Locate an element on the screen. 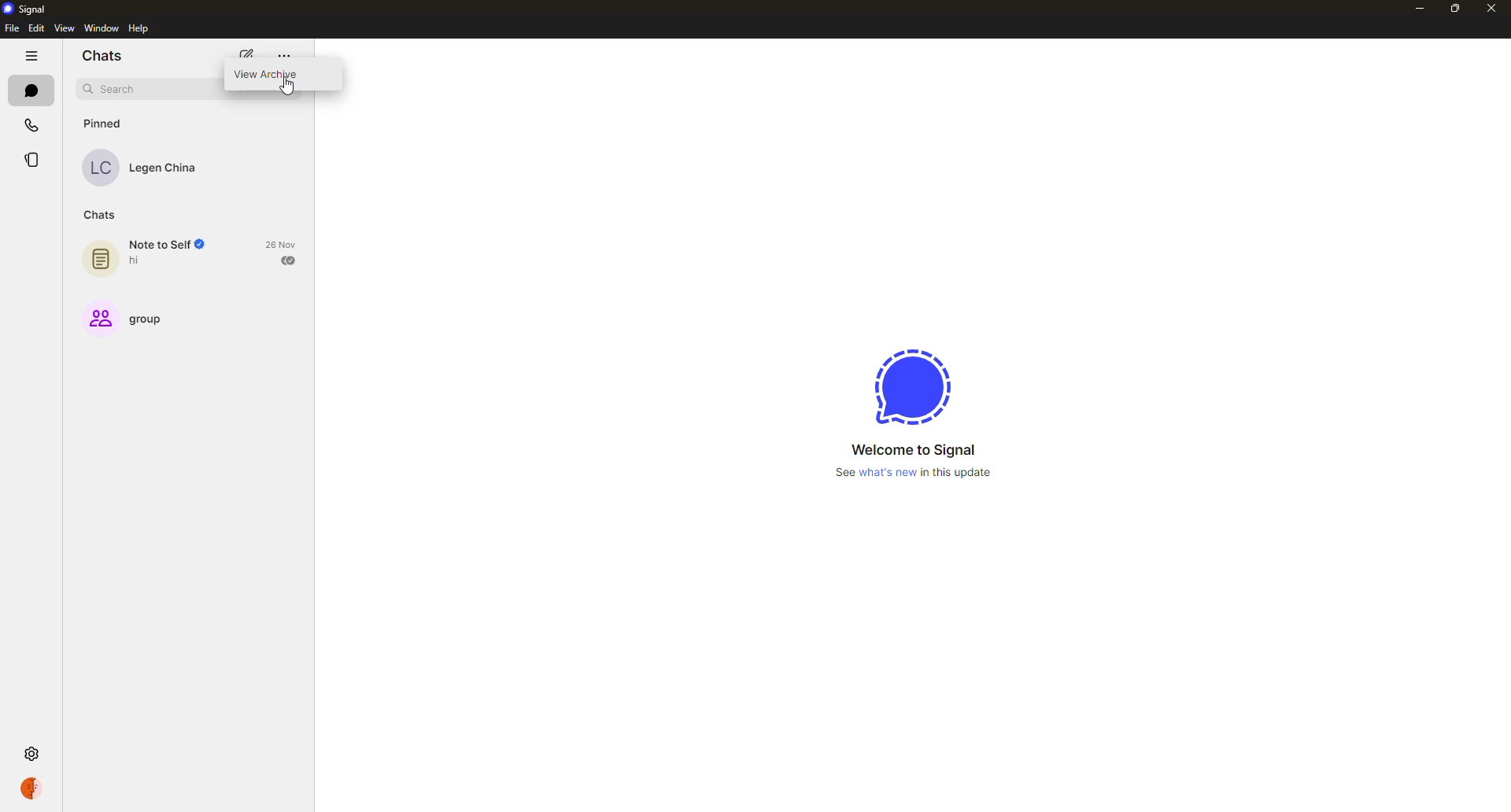 The width and height of the screenshot is (1511, 812). contact is located at coordinates (146, 167).